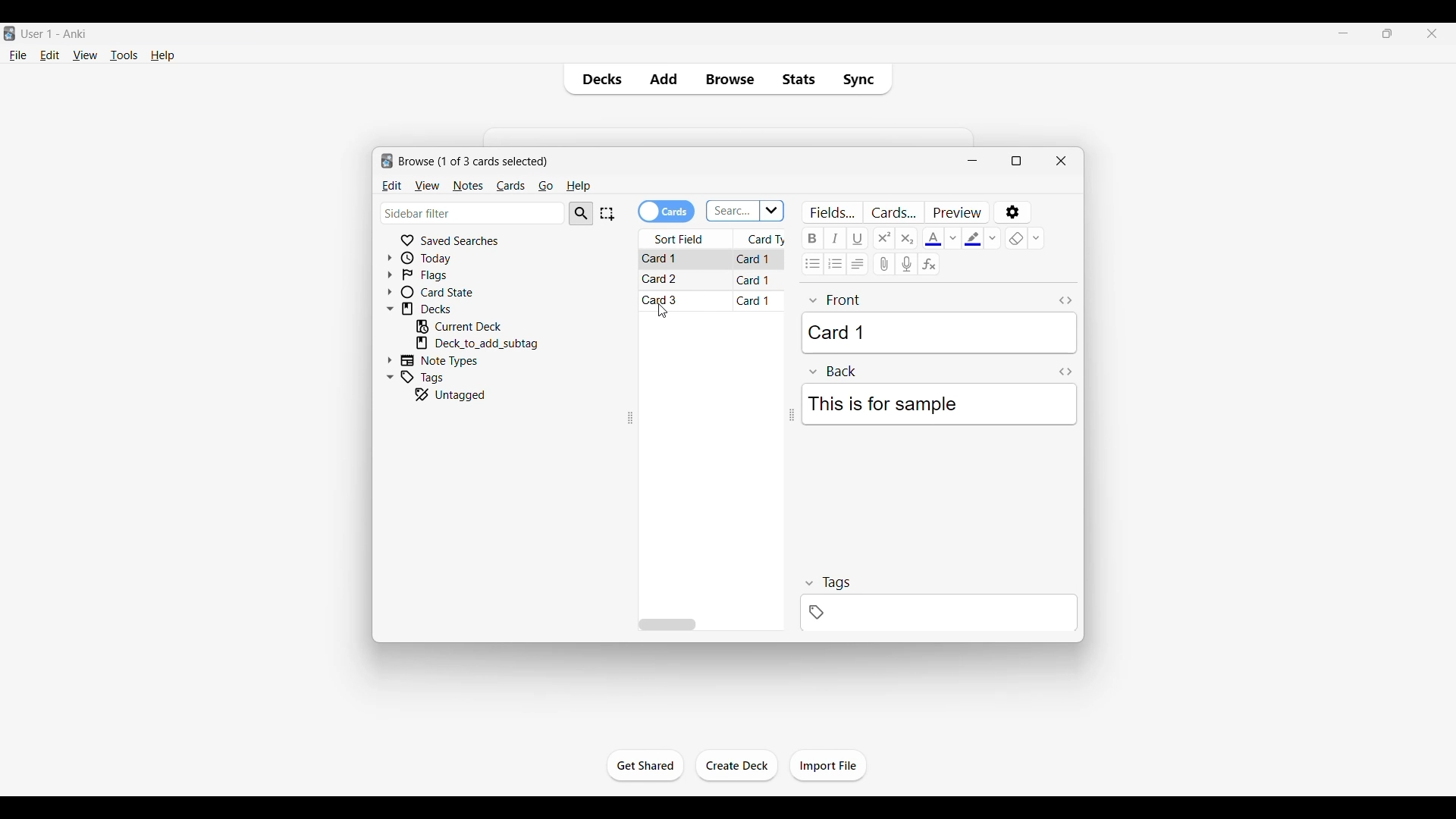 This screenshot has height=819, width=1456. Describe the element at coordinates (11, 33) in the screenshot. I see `Software logo` at that location.